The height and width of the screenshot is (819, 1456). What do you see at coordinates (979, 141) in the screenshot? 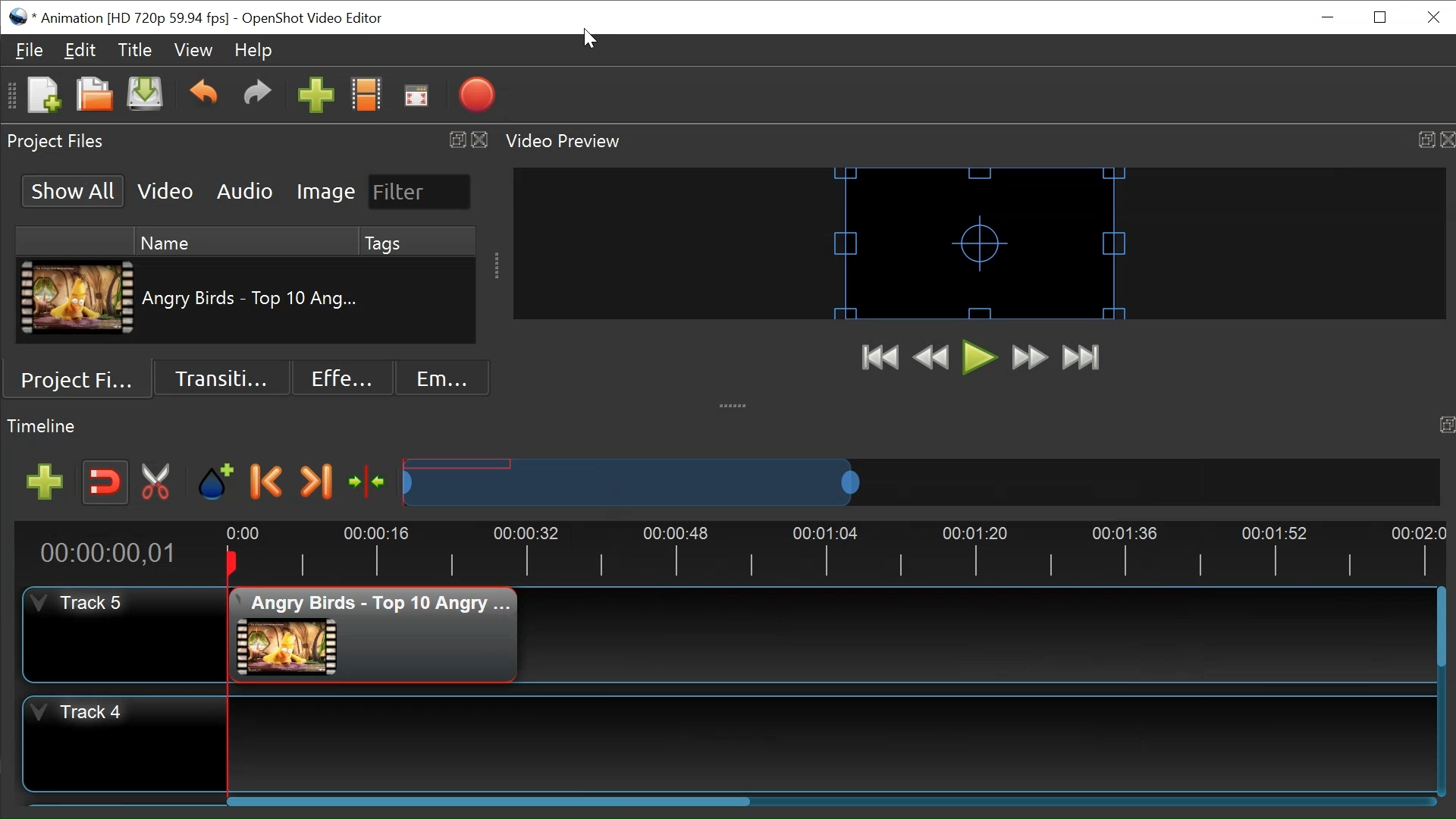
I see `Video Preview` at bounding box center [979, 141].